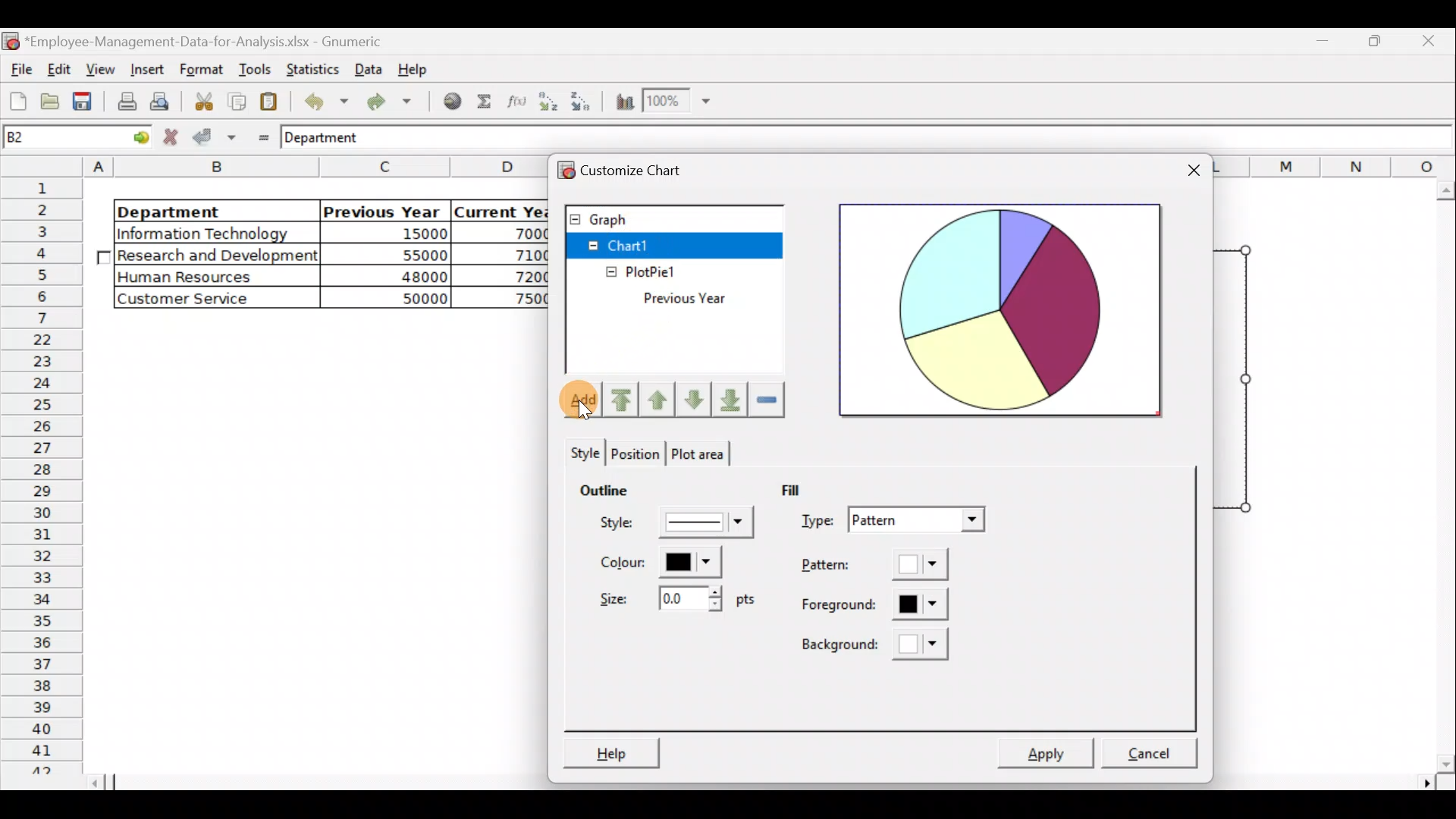 This screenshot has width=1456, height=819. I want to click on Cell name B2, so click(51, 139).